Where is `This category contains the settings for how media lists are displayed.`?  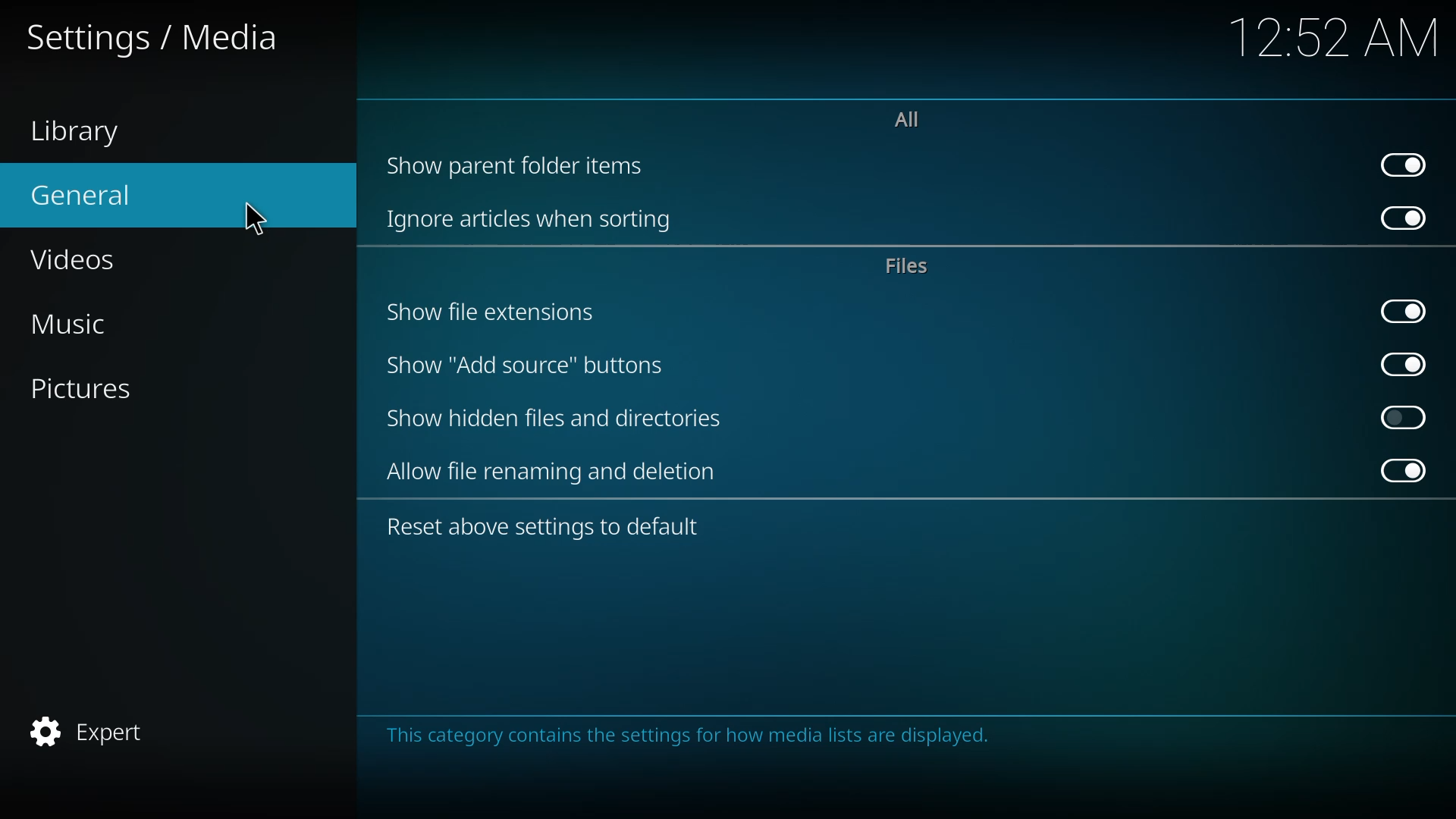 This category contains the settings for how media lists are displayed. is located at coordinates (683, 741).